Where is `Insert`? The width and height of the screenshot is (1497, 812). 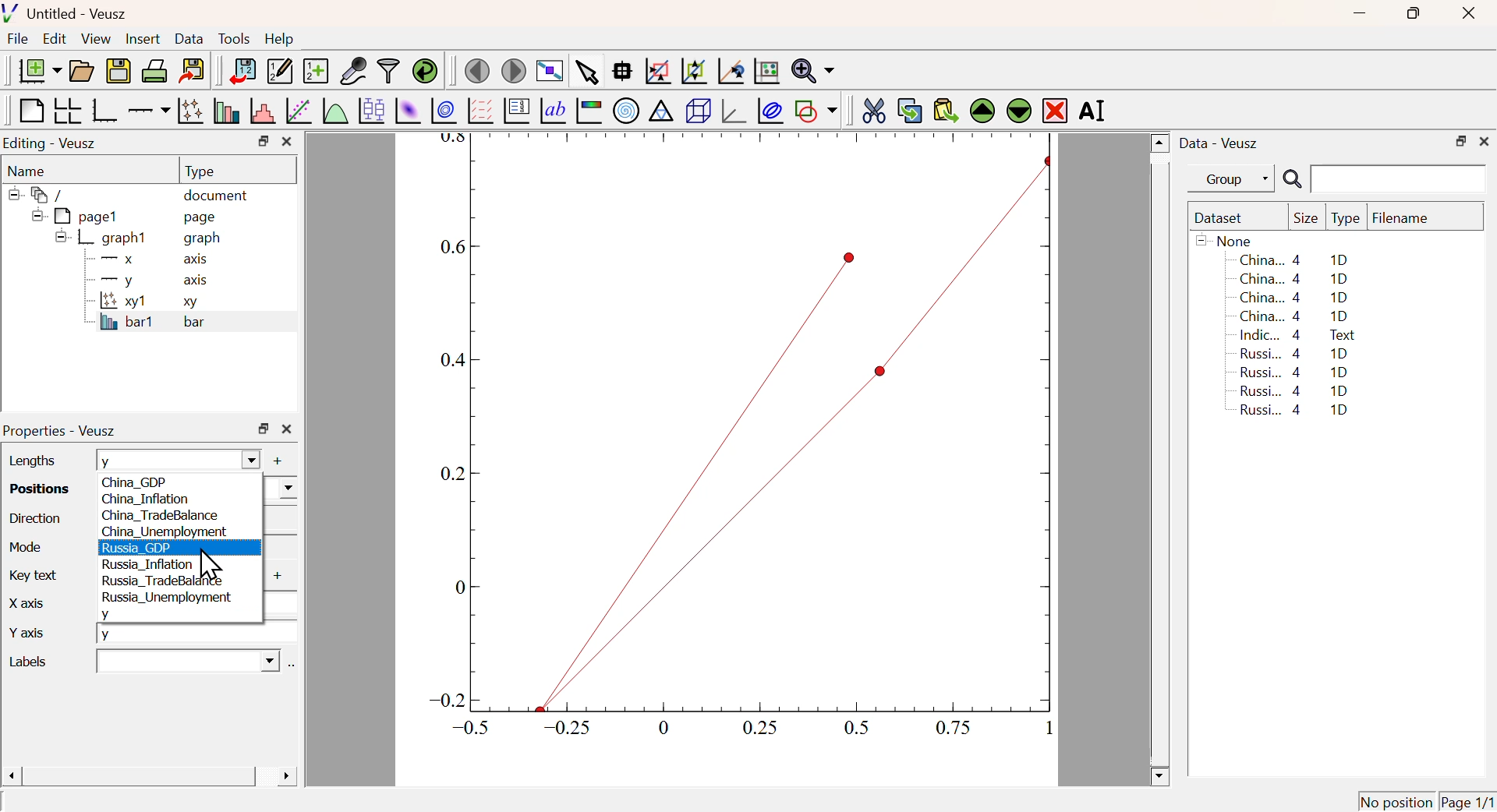 Insert is located at coordinates (141, 40).